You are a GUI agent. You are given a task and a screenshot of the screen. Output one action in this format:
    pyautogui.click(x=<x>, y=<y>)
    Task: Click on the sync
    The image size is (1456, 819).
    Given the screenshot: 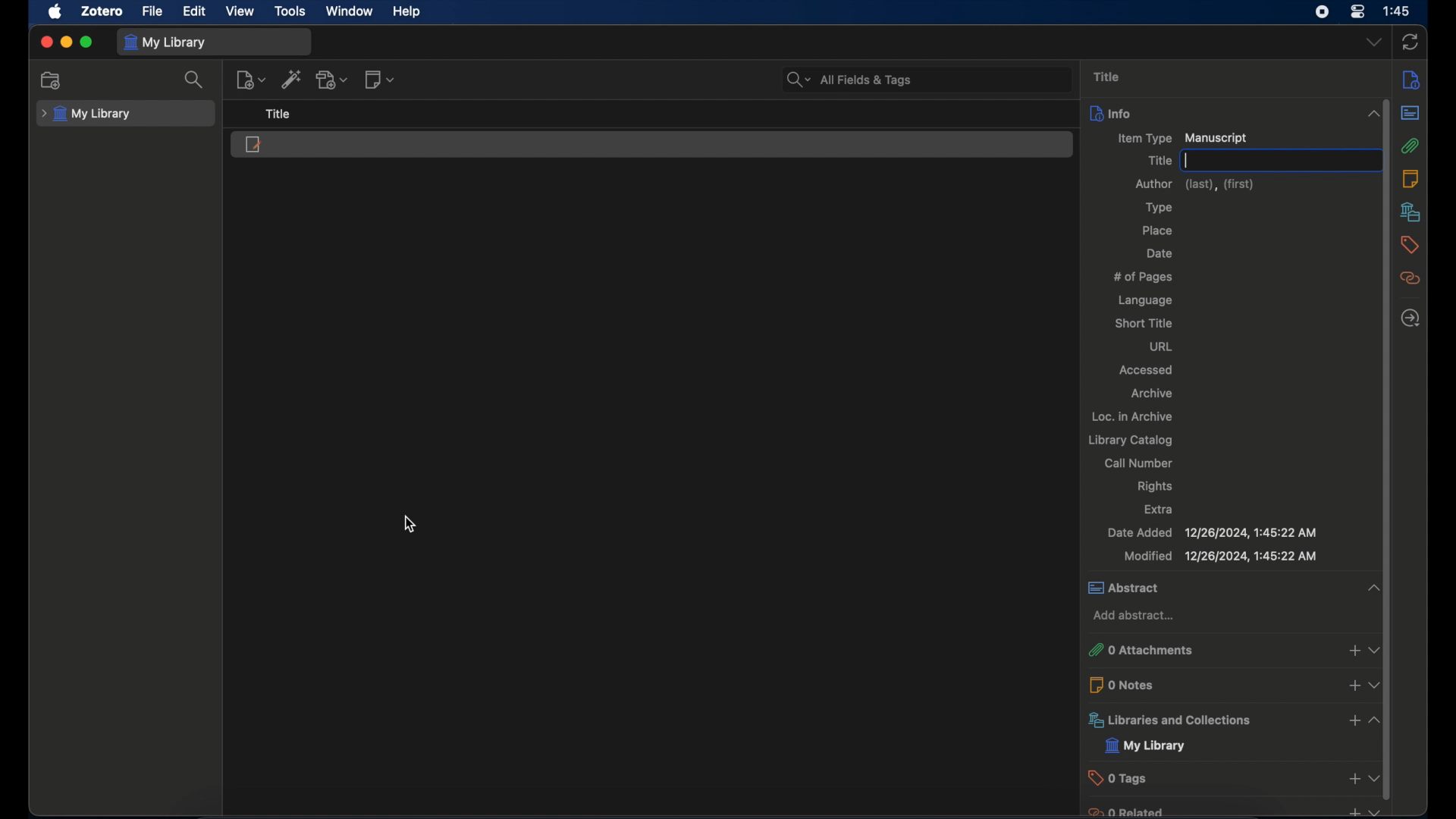 What is the action you would take?
    pyautogui.click(x=1409, y=43)
    